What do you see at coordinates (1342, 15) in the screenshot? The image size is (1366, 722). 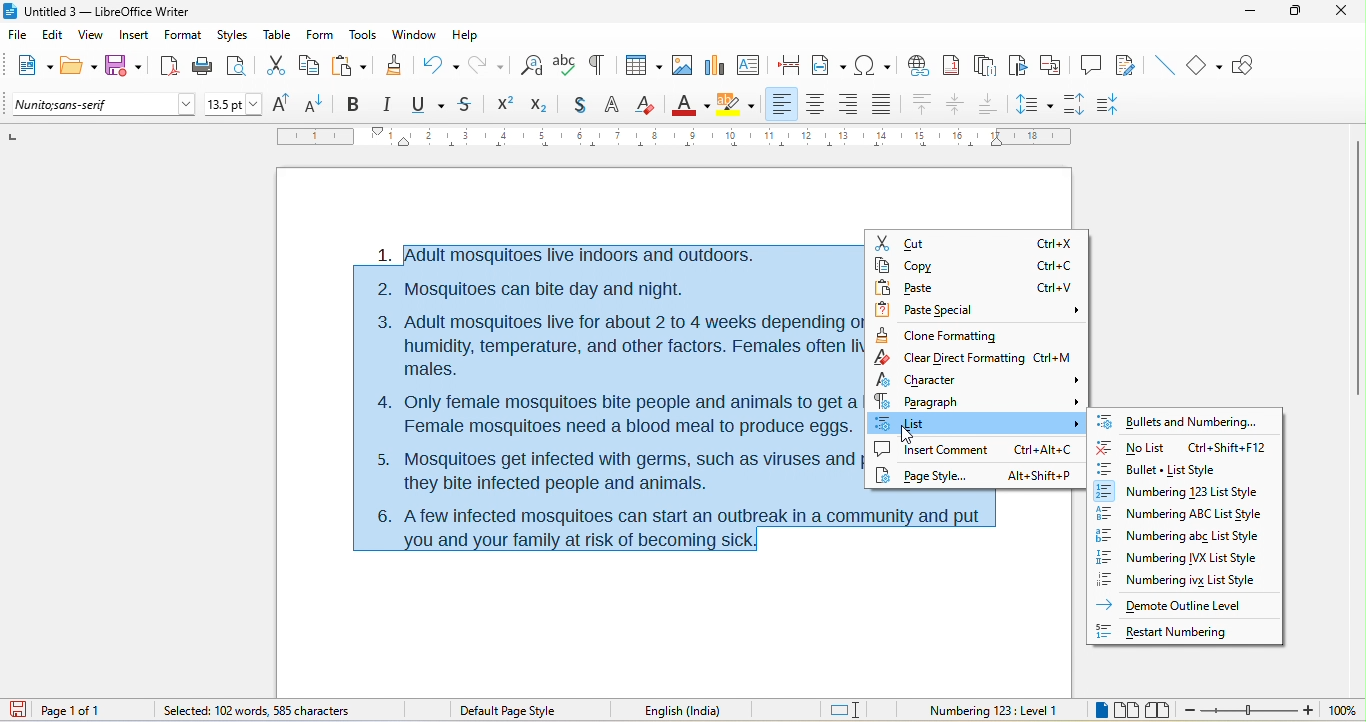 I see `close` at bounding box center [1342, 15].